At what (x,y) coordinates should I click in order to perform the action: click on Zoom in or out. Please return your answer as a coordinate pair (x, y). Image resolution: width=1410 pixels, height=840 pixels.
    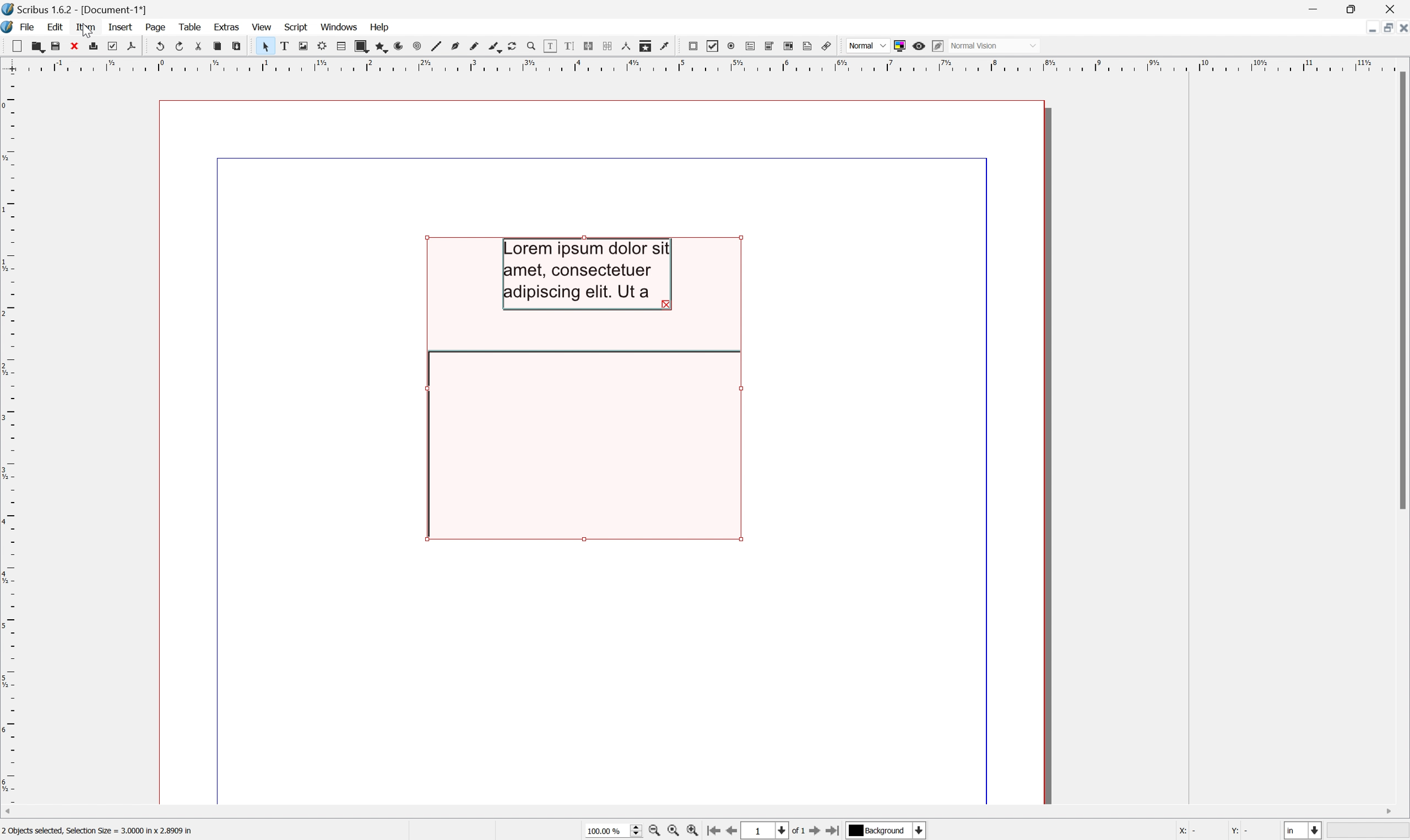
    Looking at the image, I should click on (529, 46).